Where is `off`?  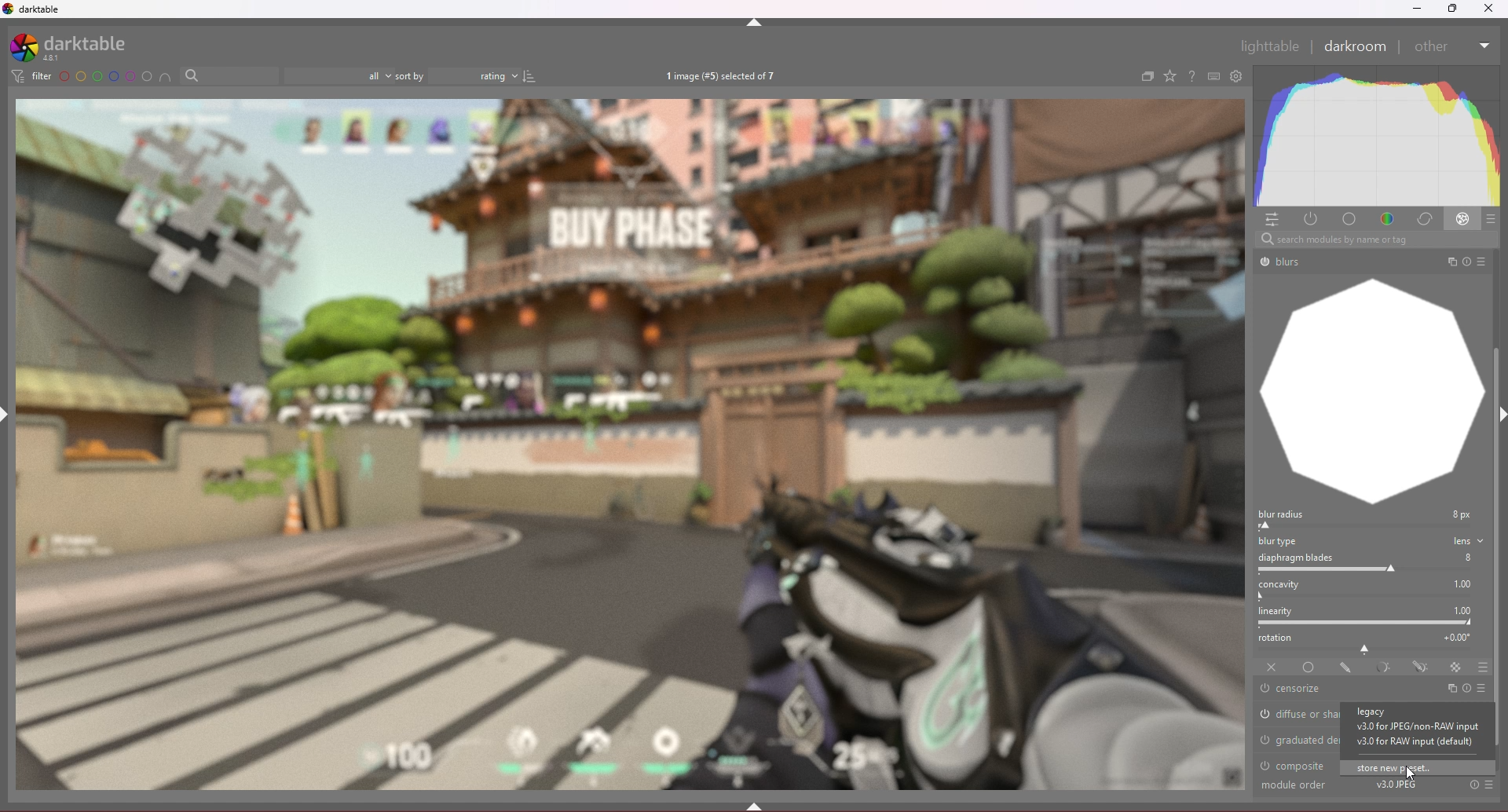
off is located at coordinates (1272, 668).